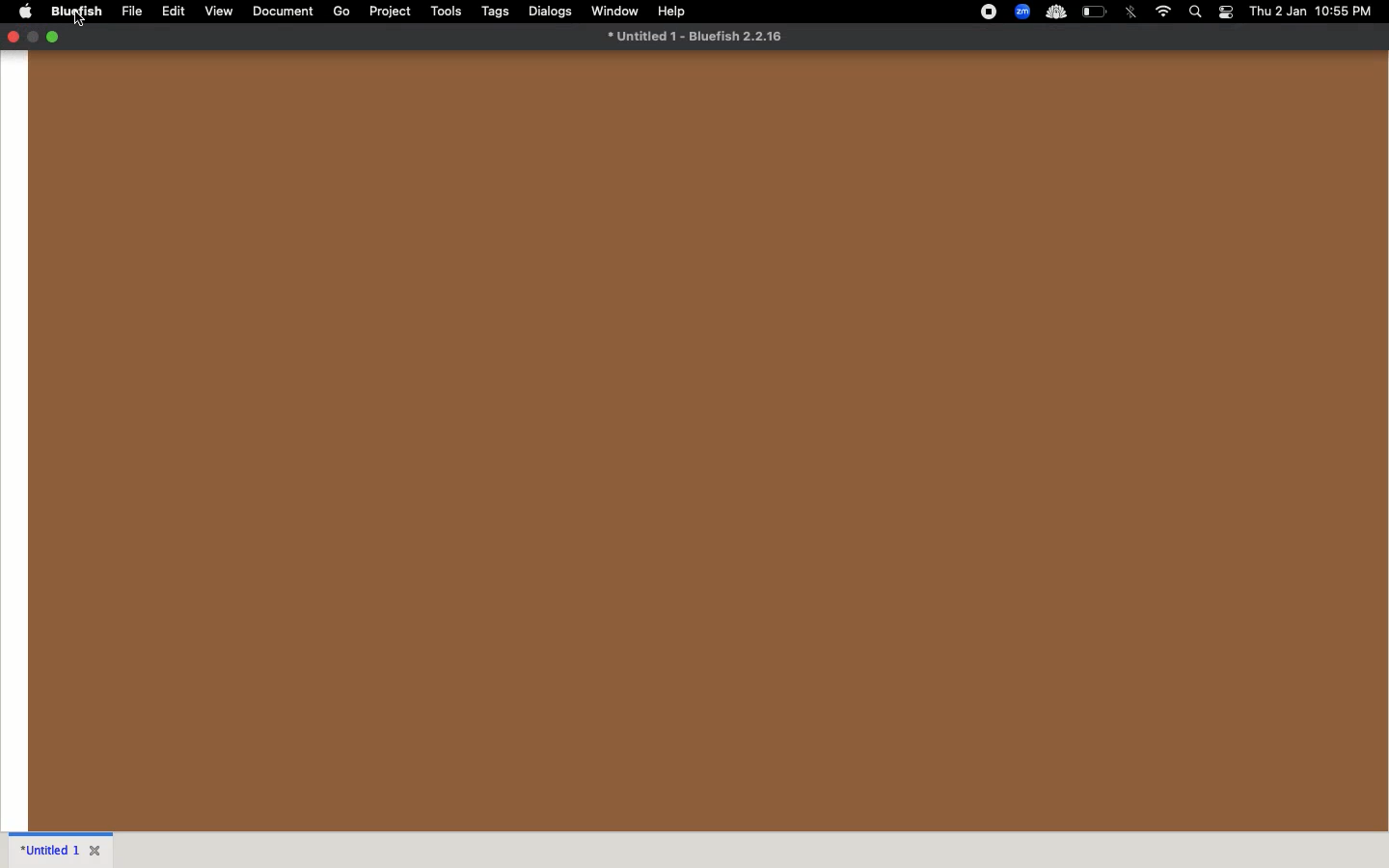 This screenshot has width=1389, height=868. What do you see at coordinates (392, 11) in the screenshot?
I see `project` at bounding box center [392, 11].